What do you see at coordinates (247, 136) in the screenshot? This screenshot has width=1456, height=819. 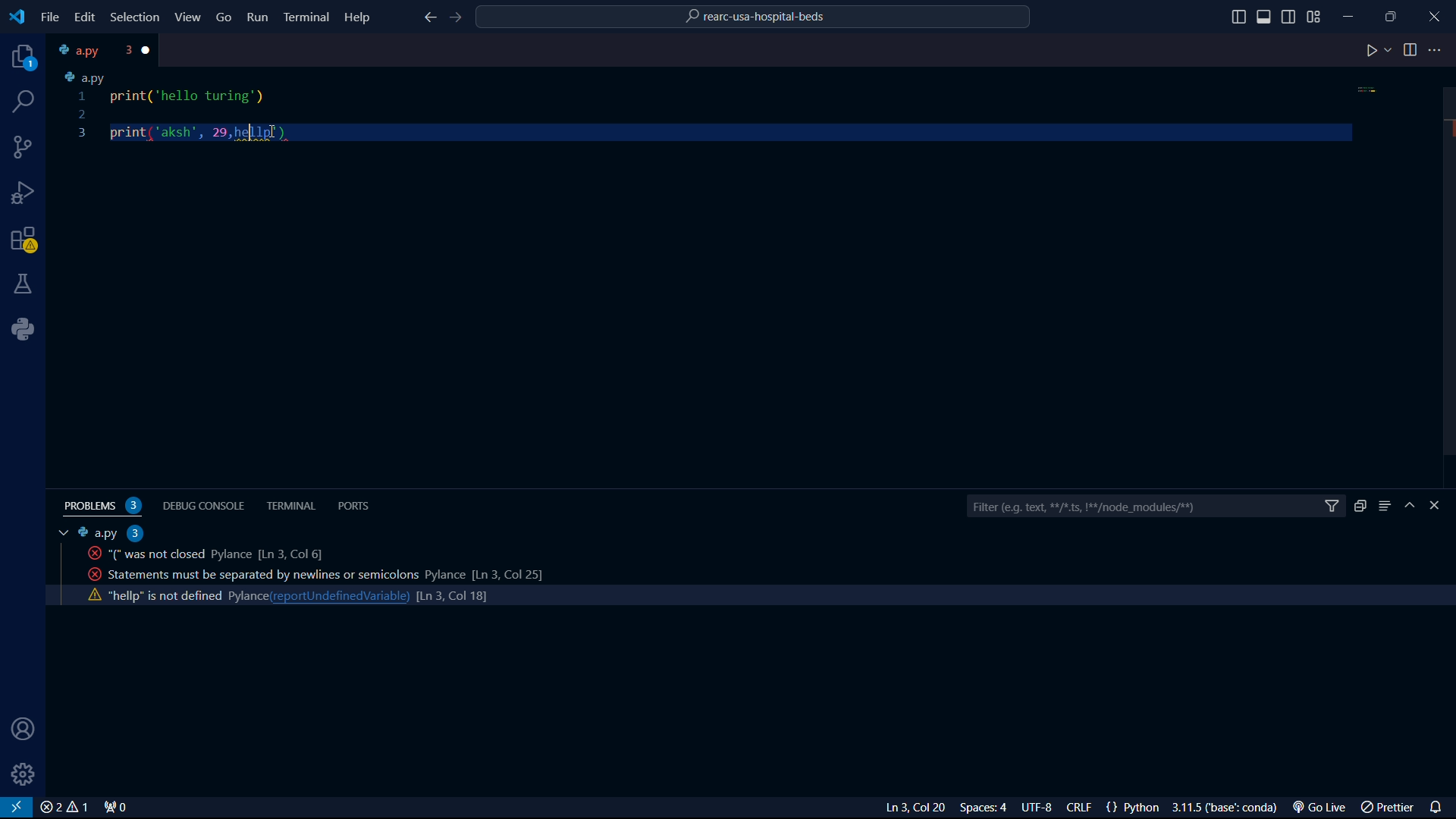 I see `cursor` at bounding box center [247, 136].